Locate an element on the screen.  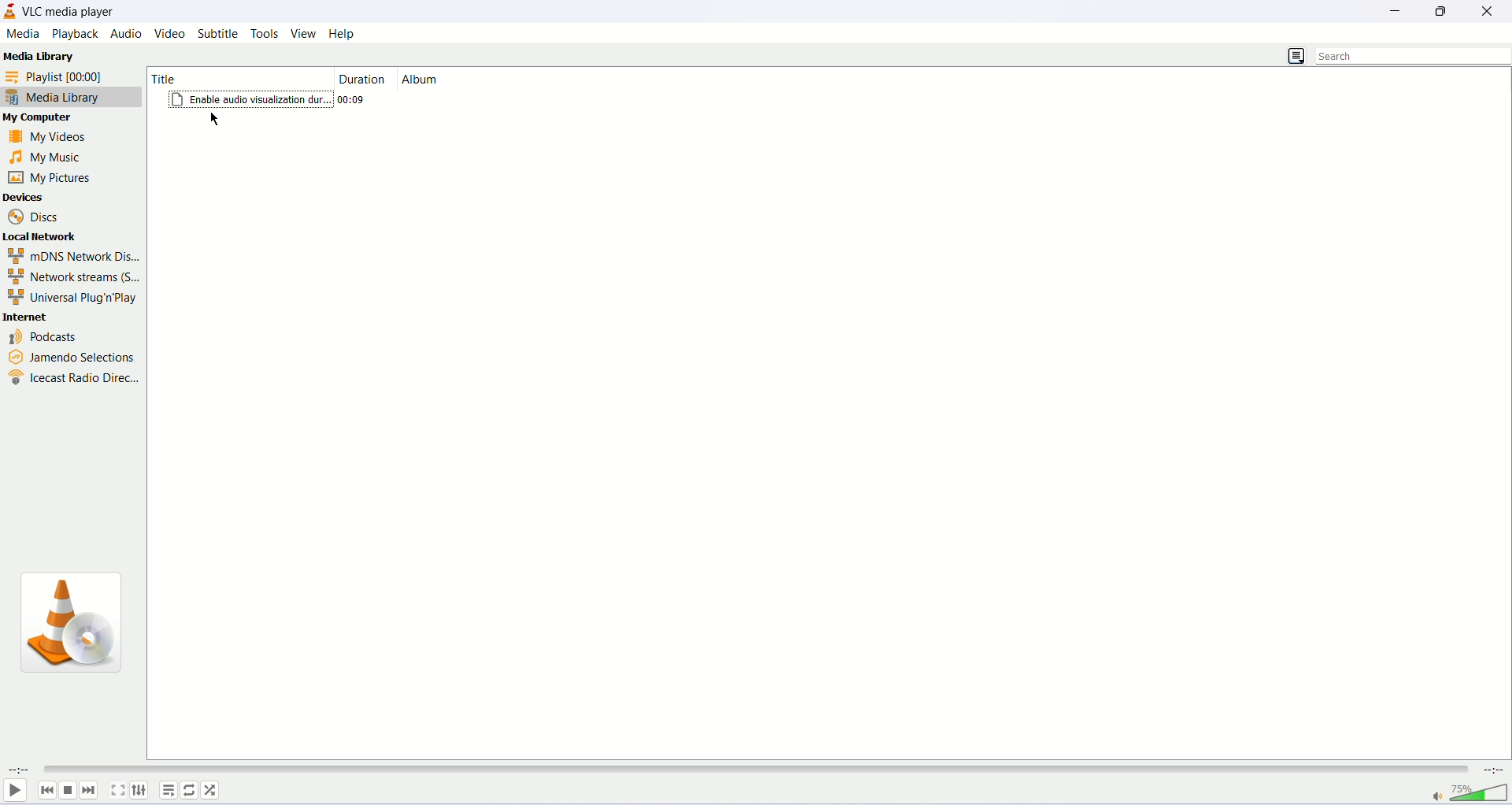
album is located at coordinates (467, 78).